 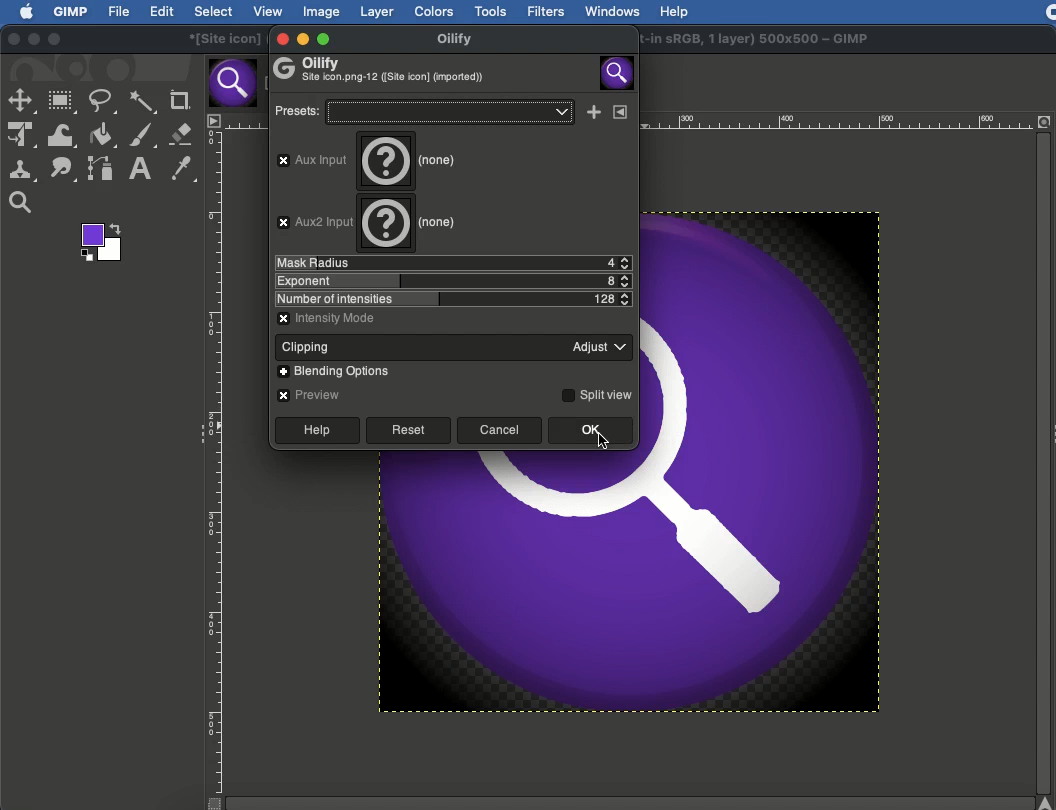 What do you see at coordinates (212, 11) in the screenshot?
I see `Select` at bounding box center [212, 11].